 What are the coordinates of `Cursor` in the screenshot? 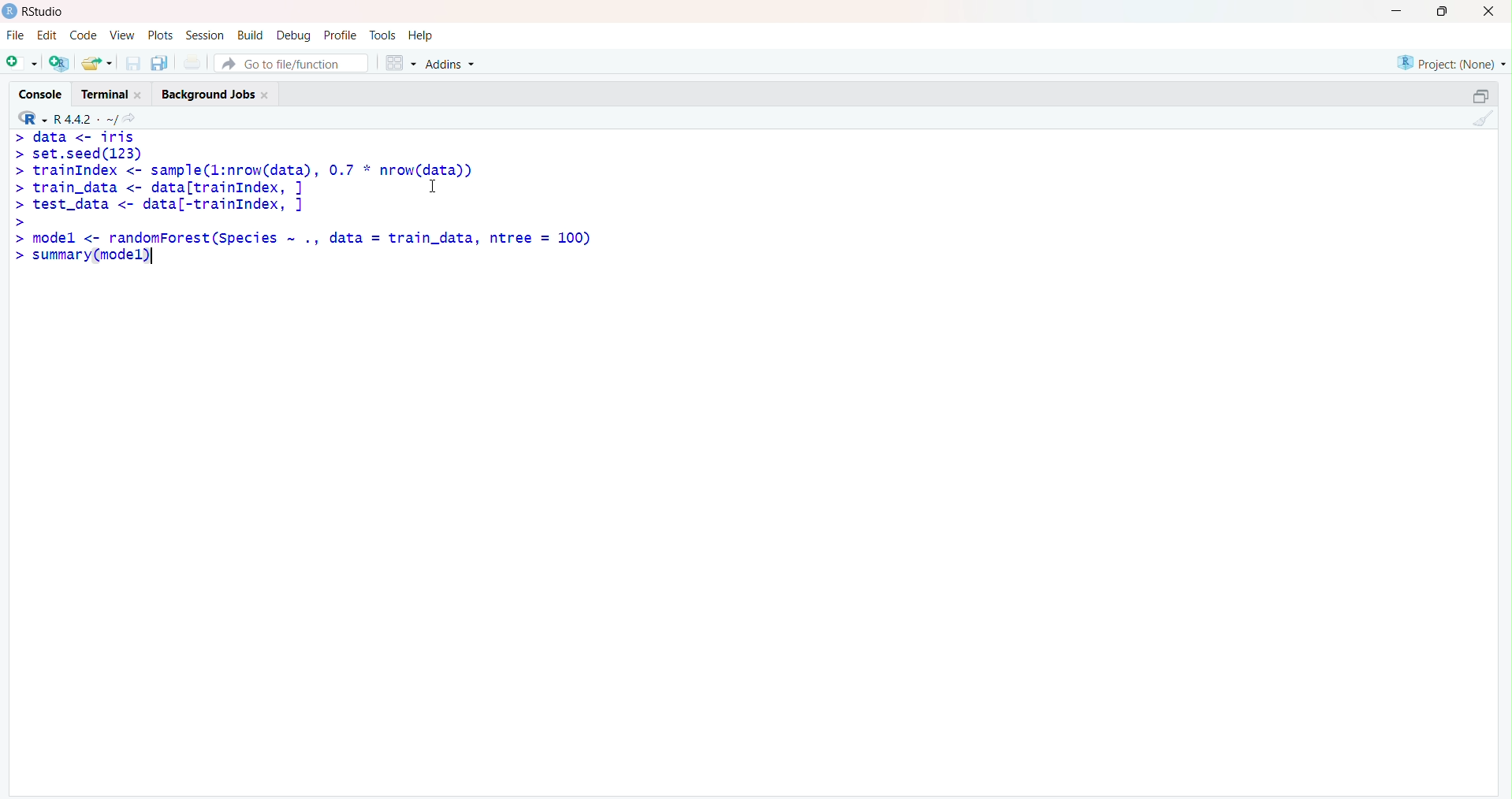 It's located at (440, 186).